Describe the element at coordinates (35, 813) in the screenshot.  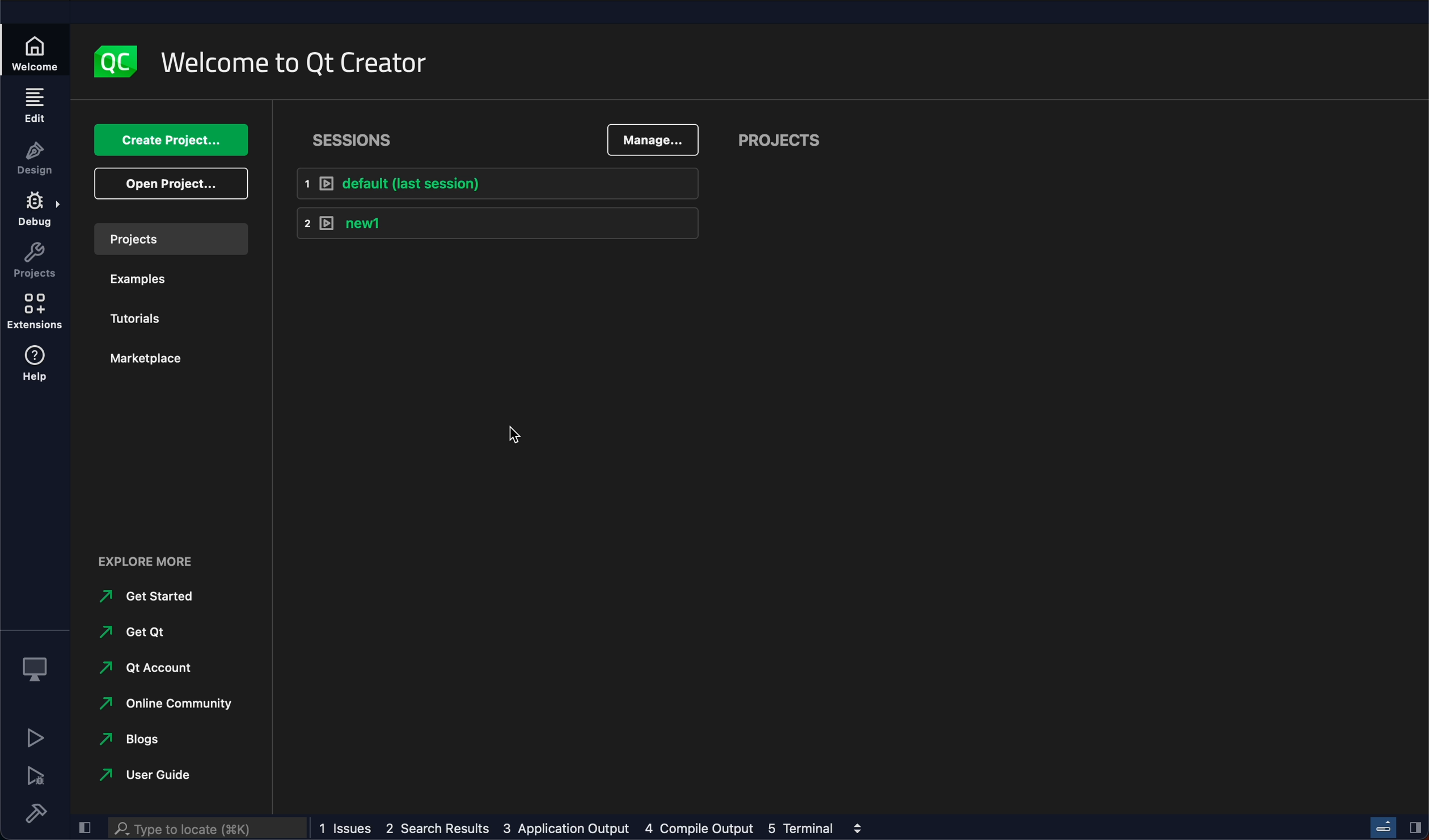
I see `build` at that location.